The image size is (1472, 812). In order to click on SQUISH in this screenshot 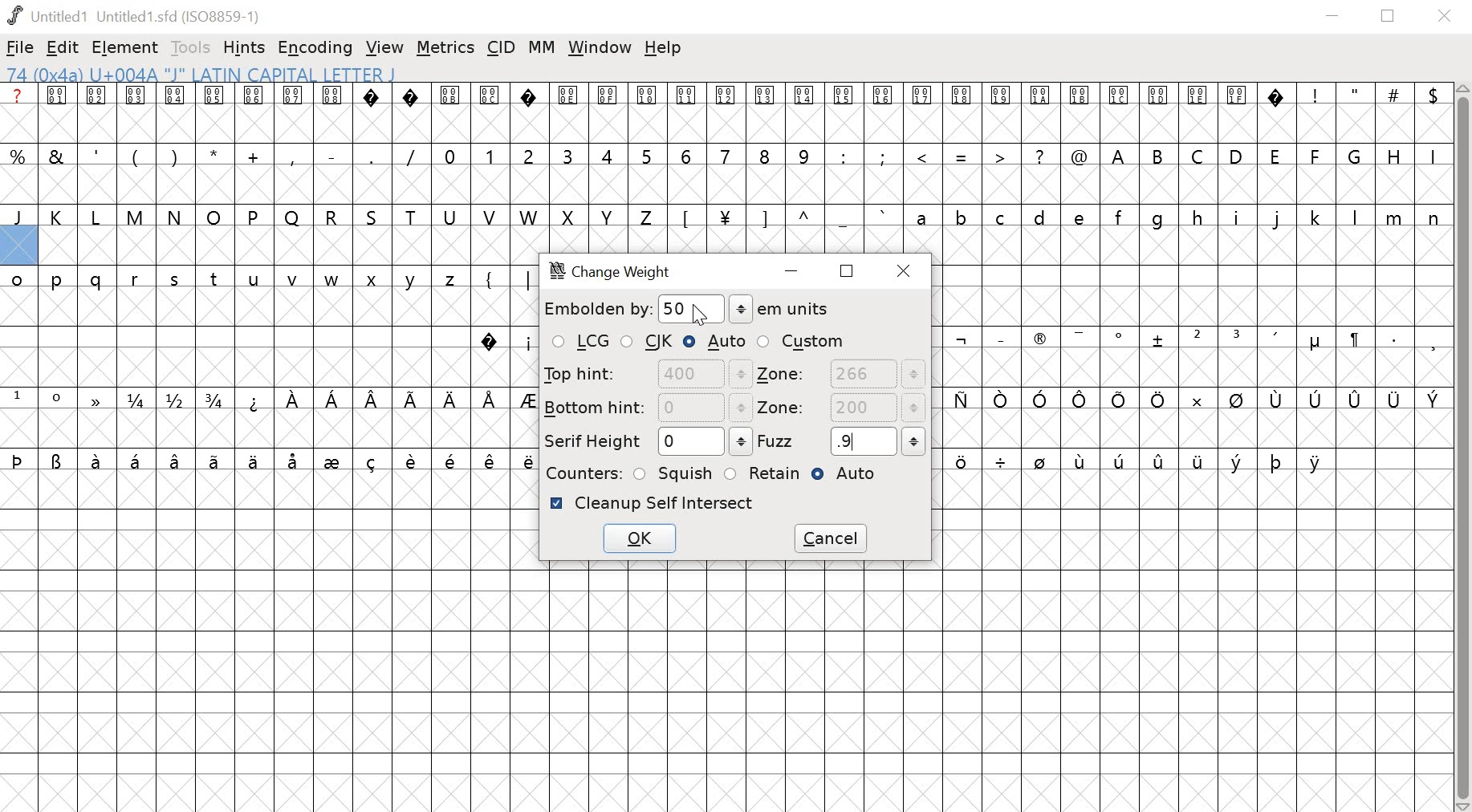, I will do `click(674, 472)`.